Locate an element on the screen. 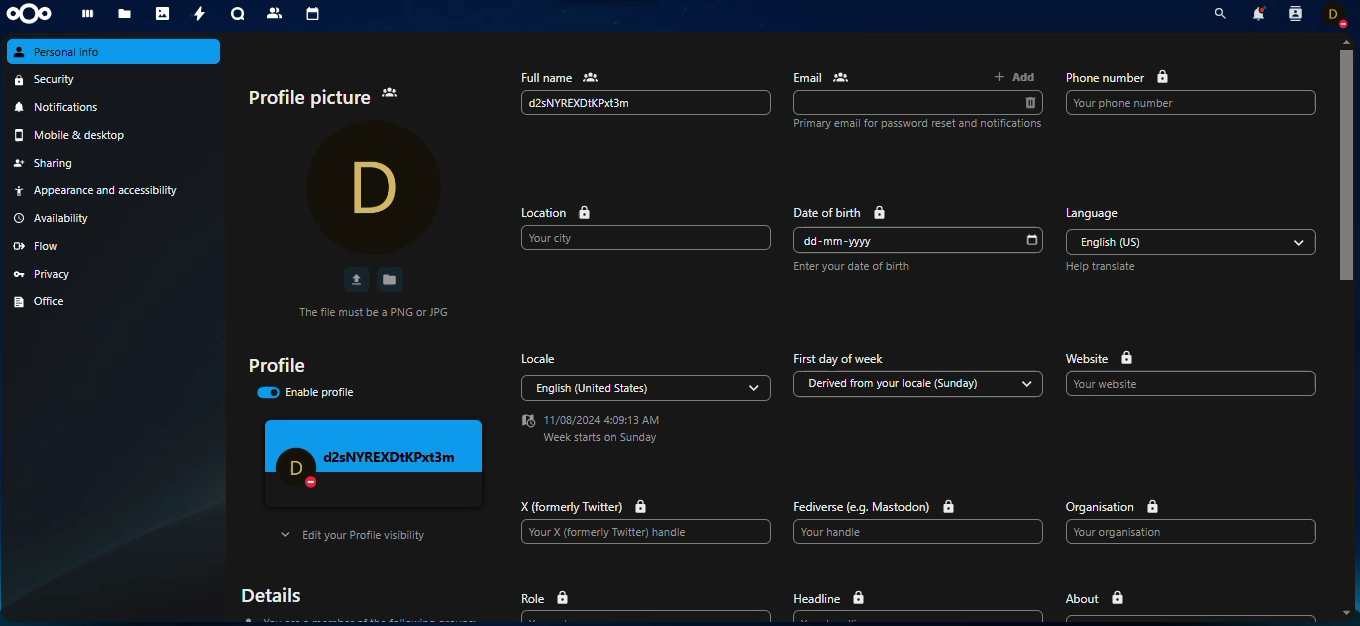  details is located at coordinates (276, 594).